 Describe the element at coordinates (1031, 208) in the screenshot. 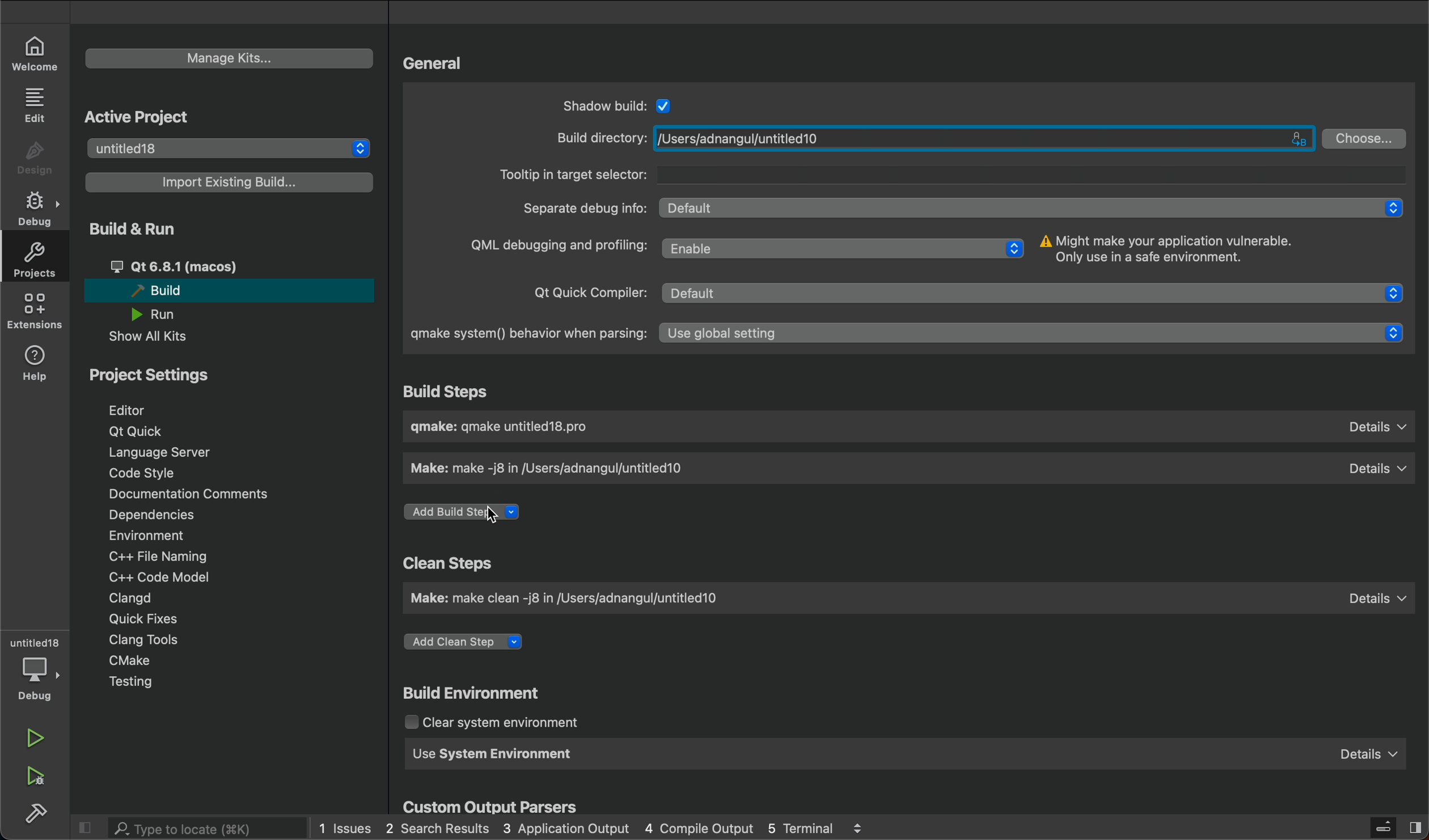

I see `Default` at that location.